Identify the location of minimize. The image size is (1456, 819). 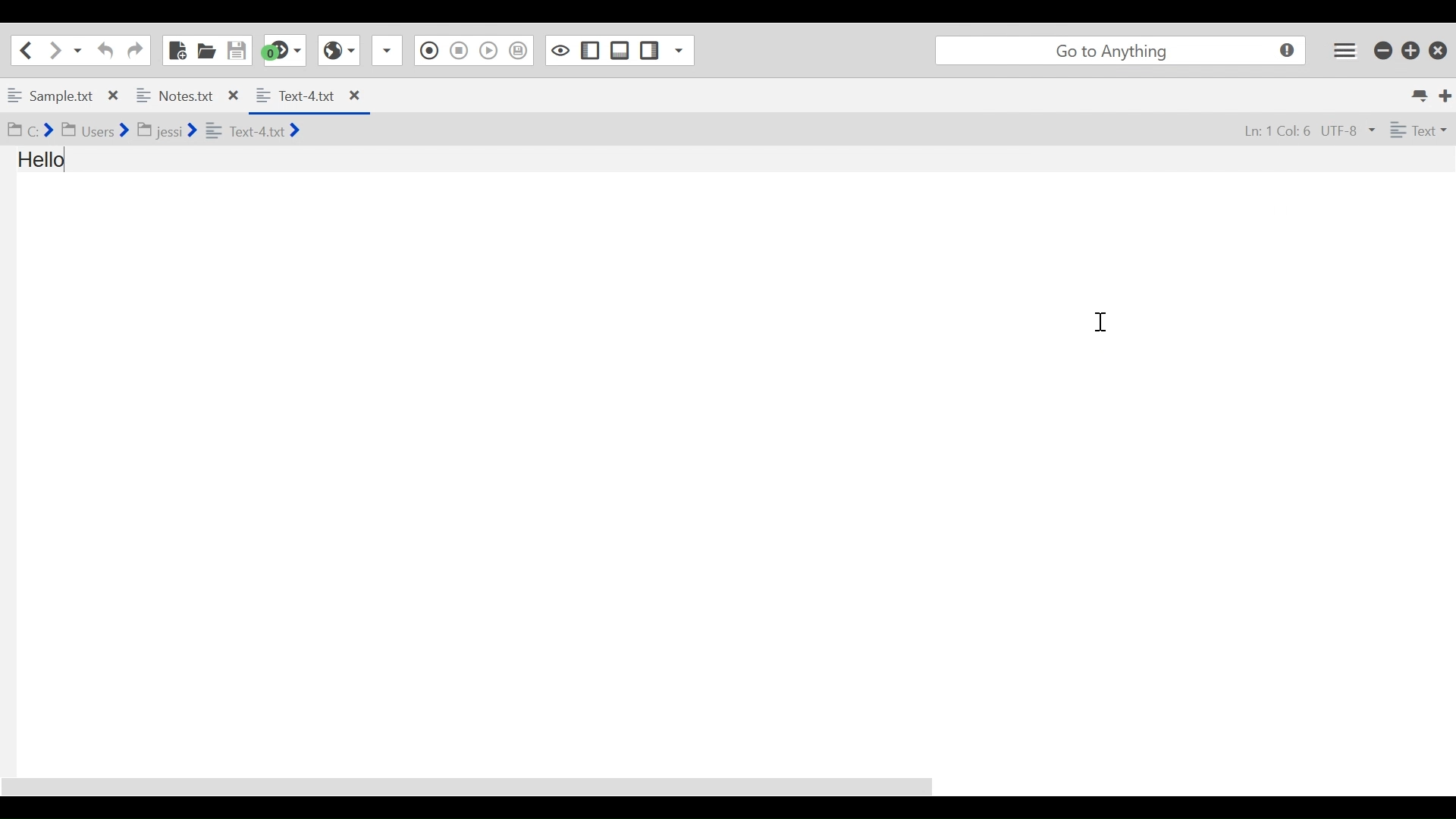
(1382, 50).